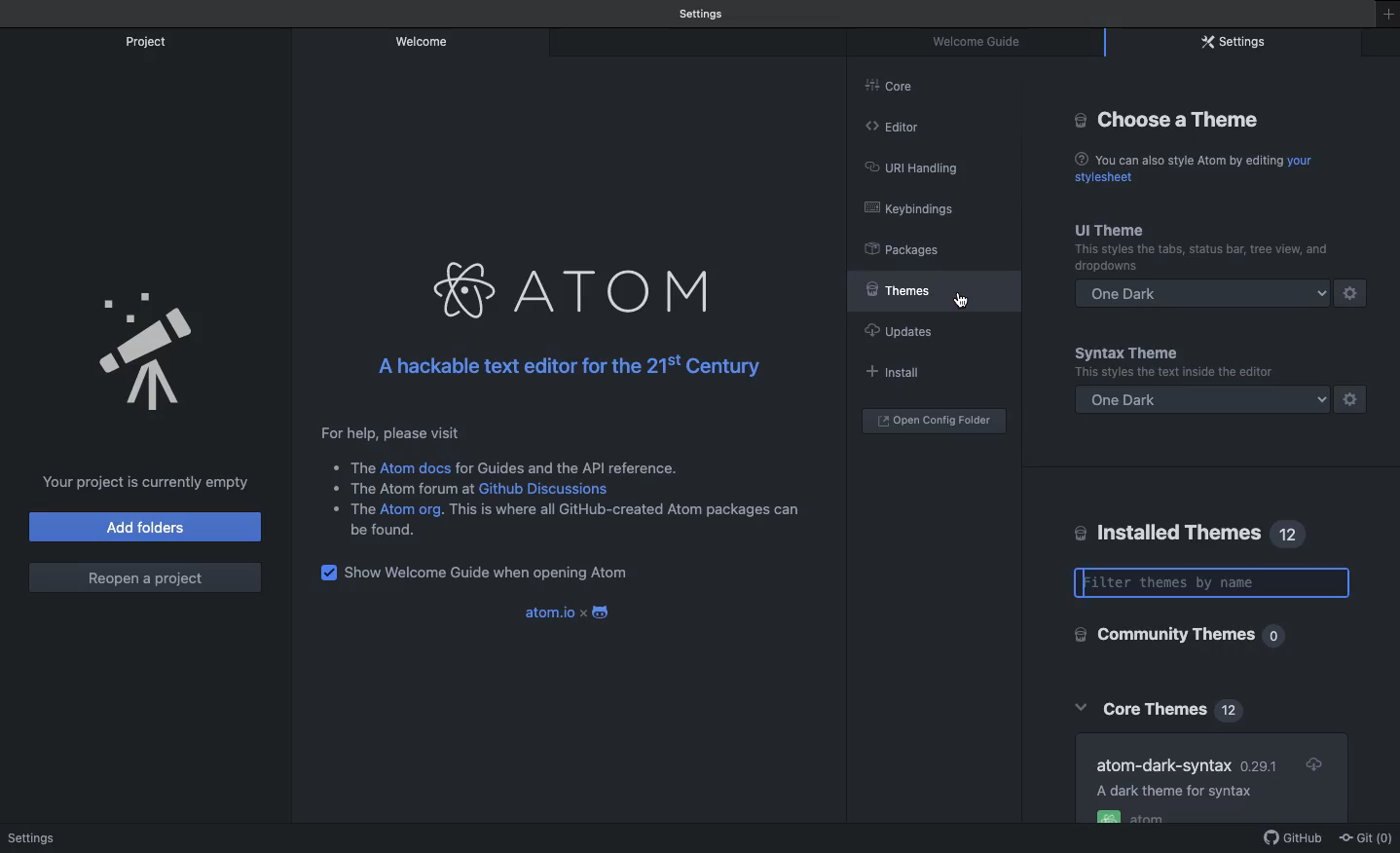 This screenshot has height=853, width=1400. What do you see at coordinates (490, 573) in the screenshot?
I see `Show welcome guide when opening Atom` at bounding box center [490, 573].